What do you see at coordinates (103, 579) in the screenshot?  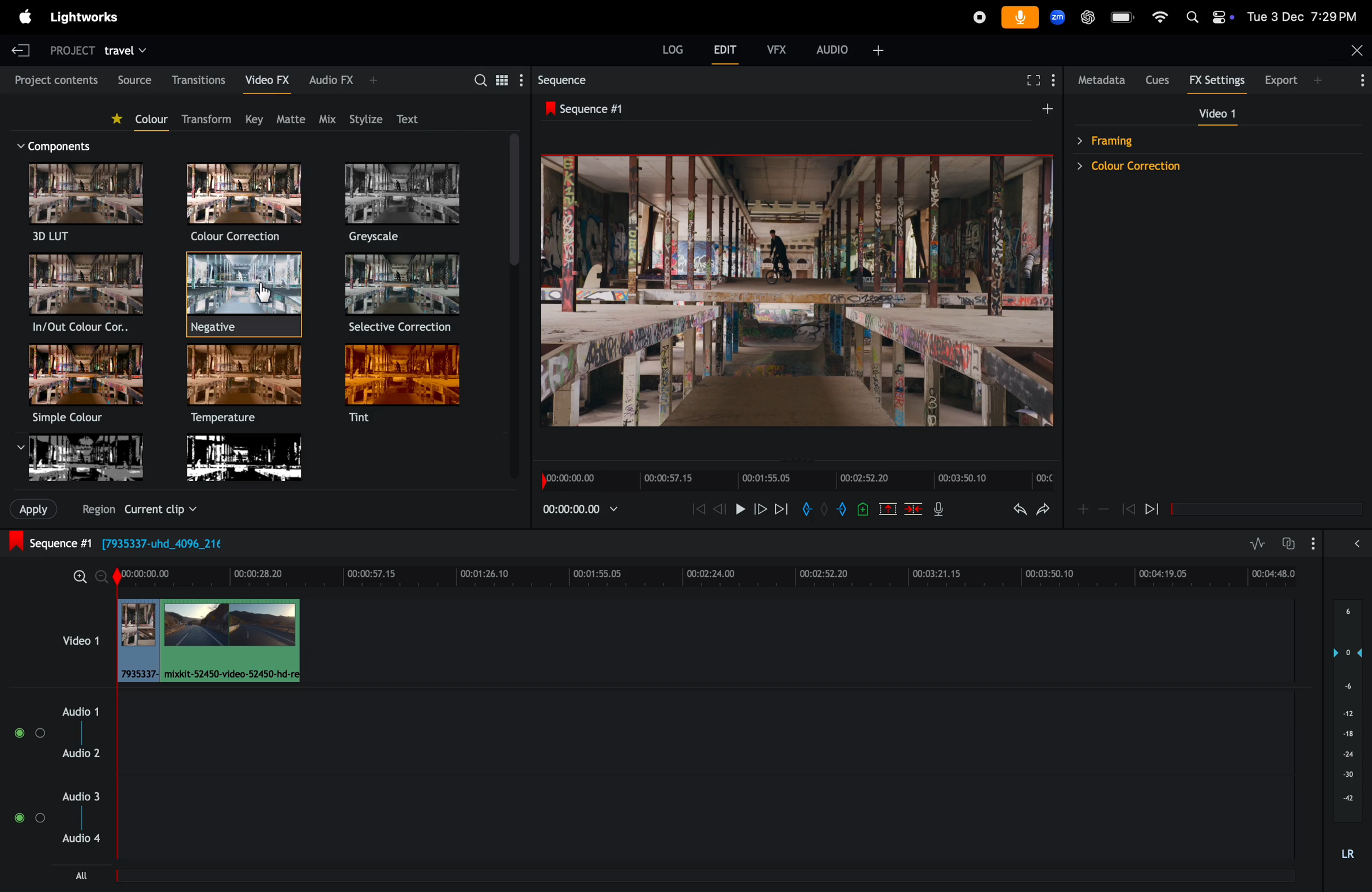 I see `zoom in` at bounding box center [103, 579].